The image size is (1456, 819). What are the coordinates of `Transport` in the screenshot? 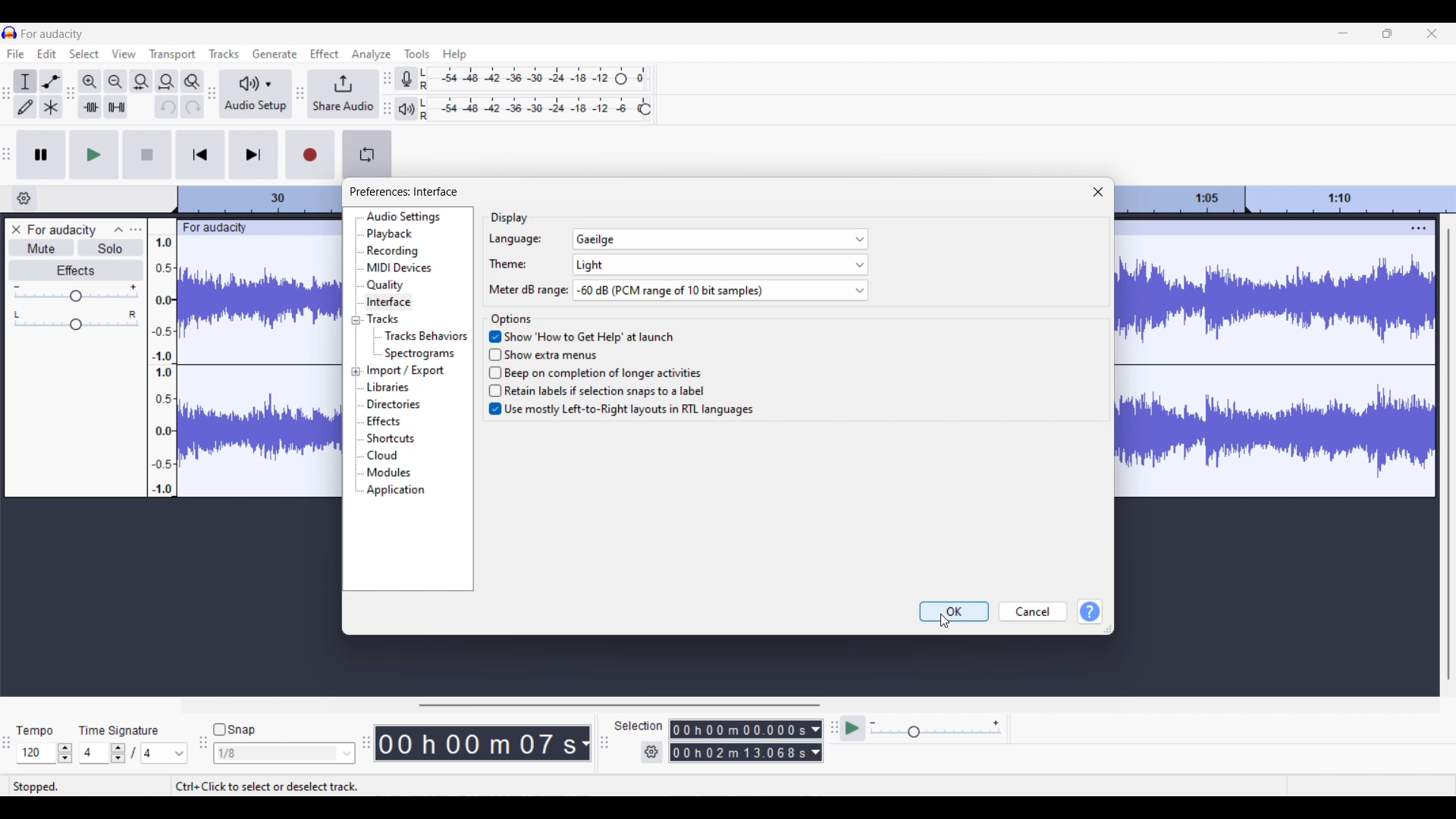 It's located at (173, 54).